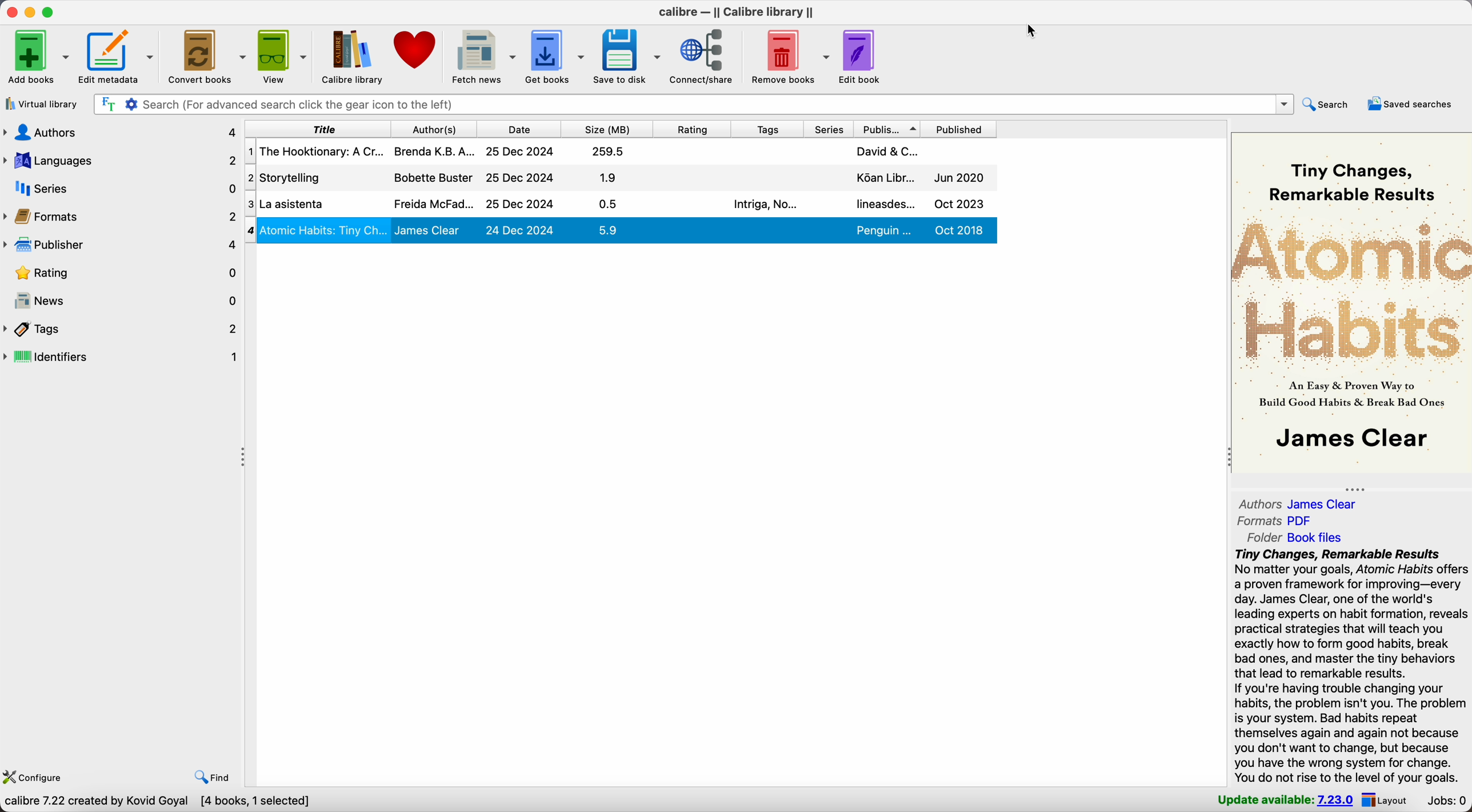  What do you see at coordinates (282, 57) in the screenshot?
I see `view` at bounding box center [282, 57].